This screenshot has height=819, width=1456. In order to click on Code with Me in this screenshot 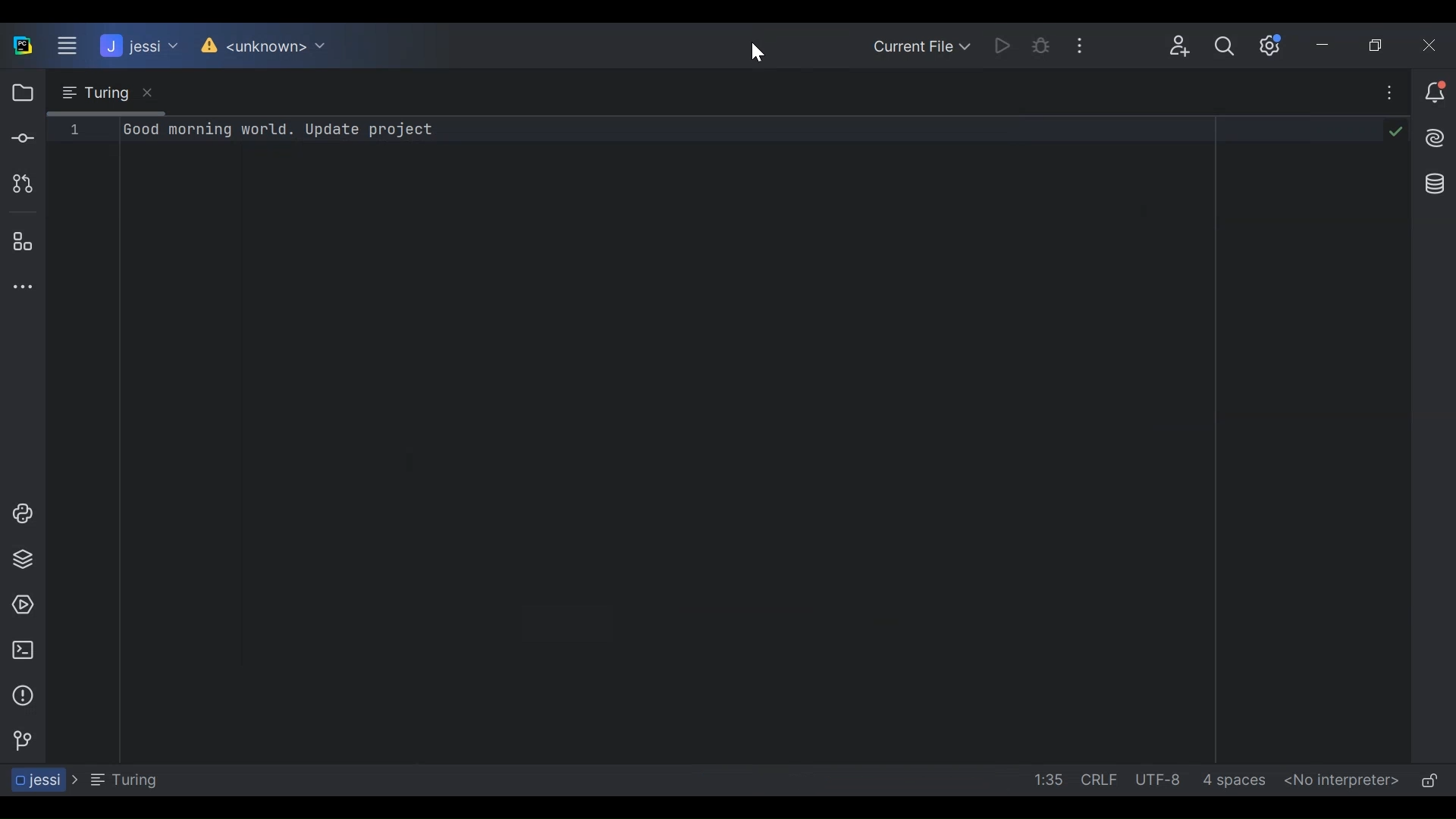, I will do `click(1175, 47)`.